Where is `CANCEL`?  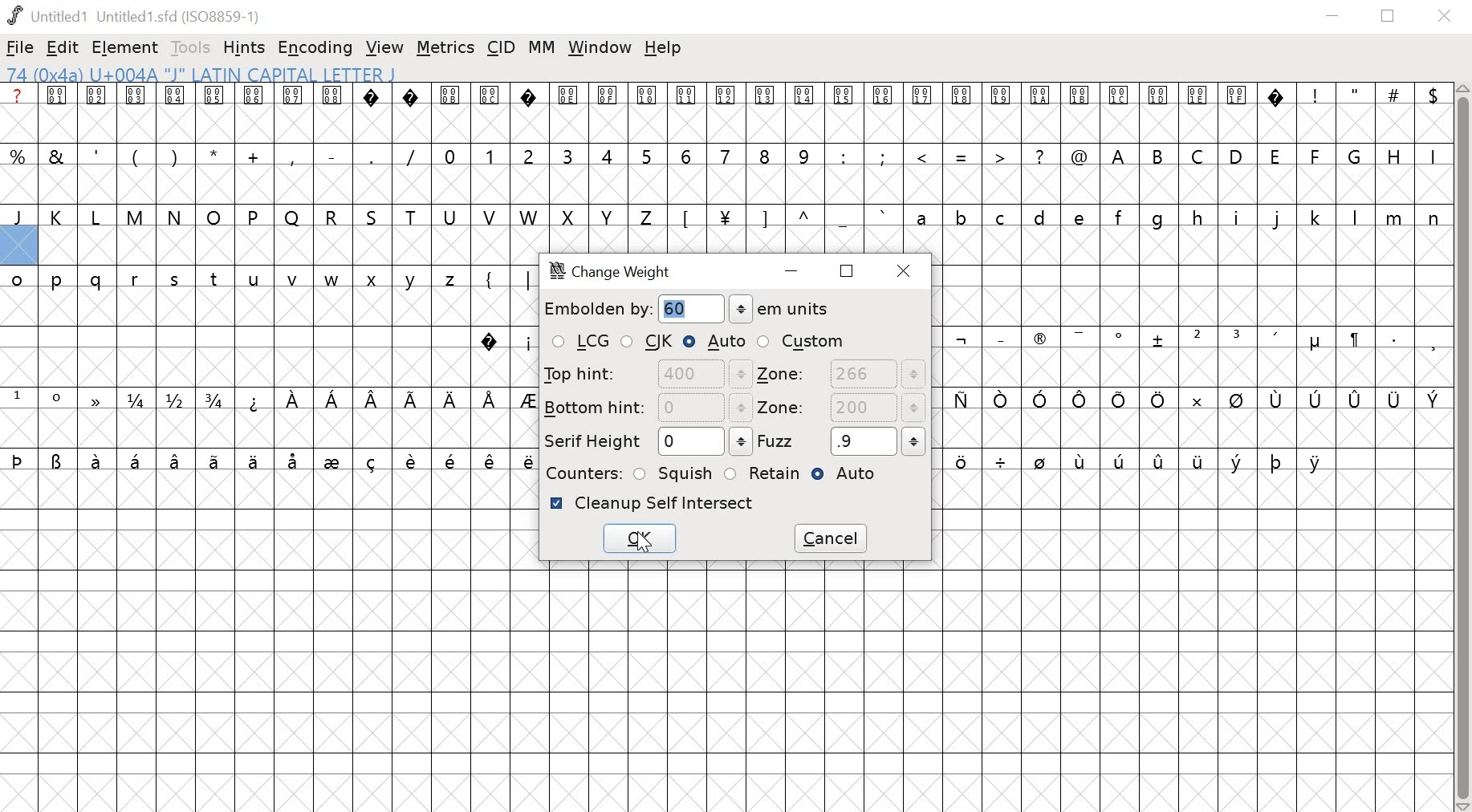 CANCEL is located at coordinates (833, 538).